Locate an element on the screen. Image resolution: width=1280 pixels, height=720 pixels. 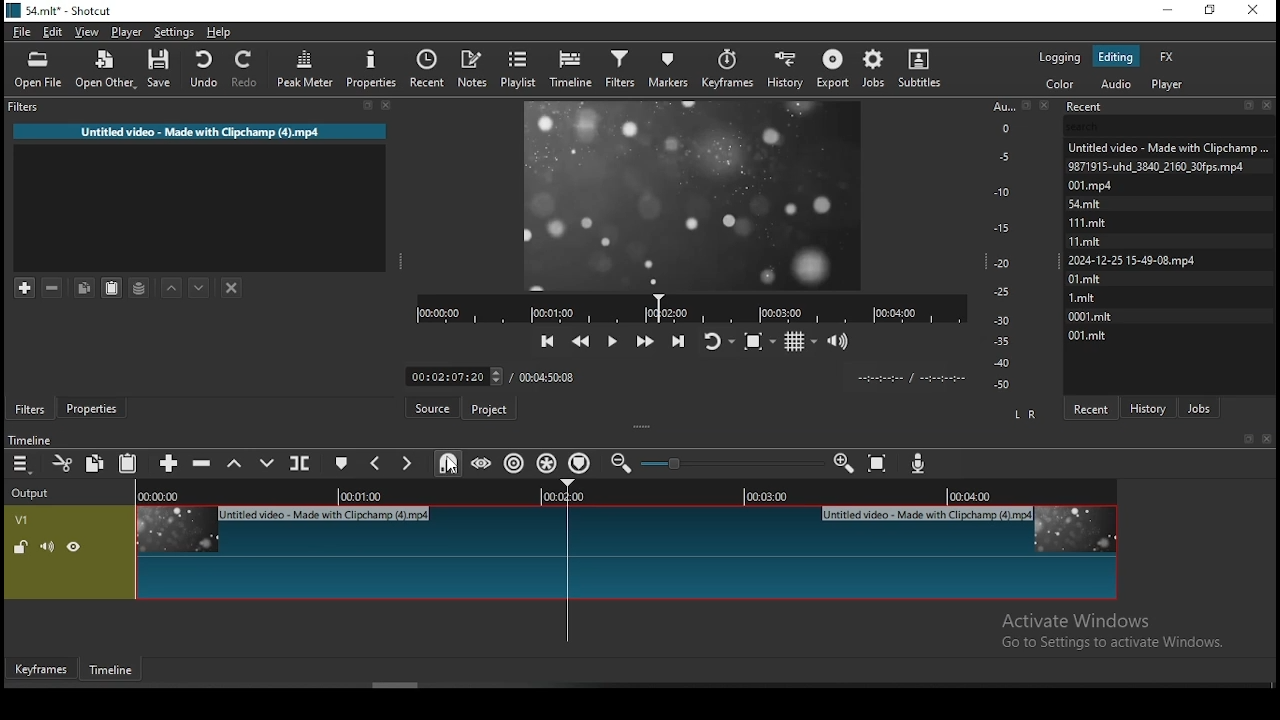
jobs is located at coordinates (876, 68).